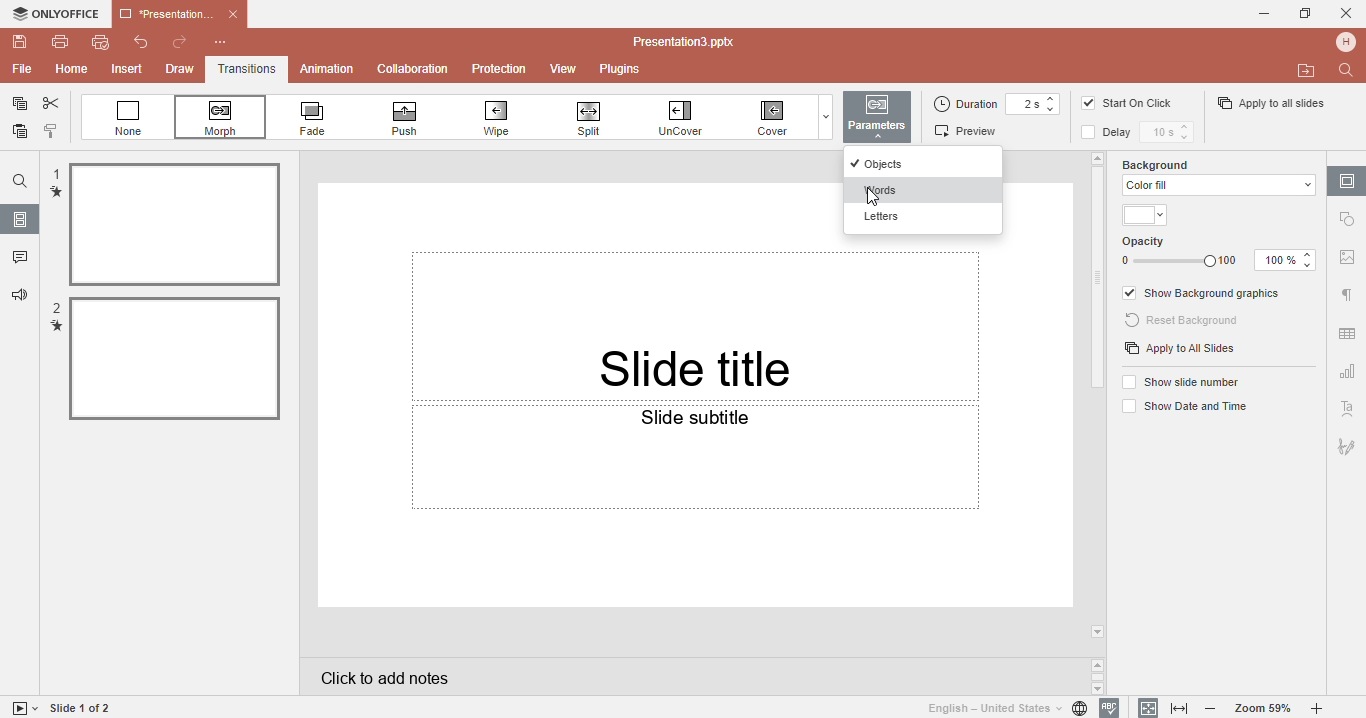  I want to click on transition mark, so click(57, 328).